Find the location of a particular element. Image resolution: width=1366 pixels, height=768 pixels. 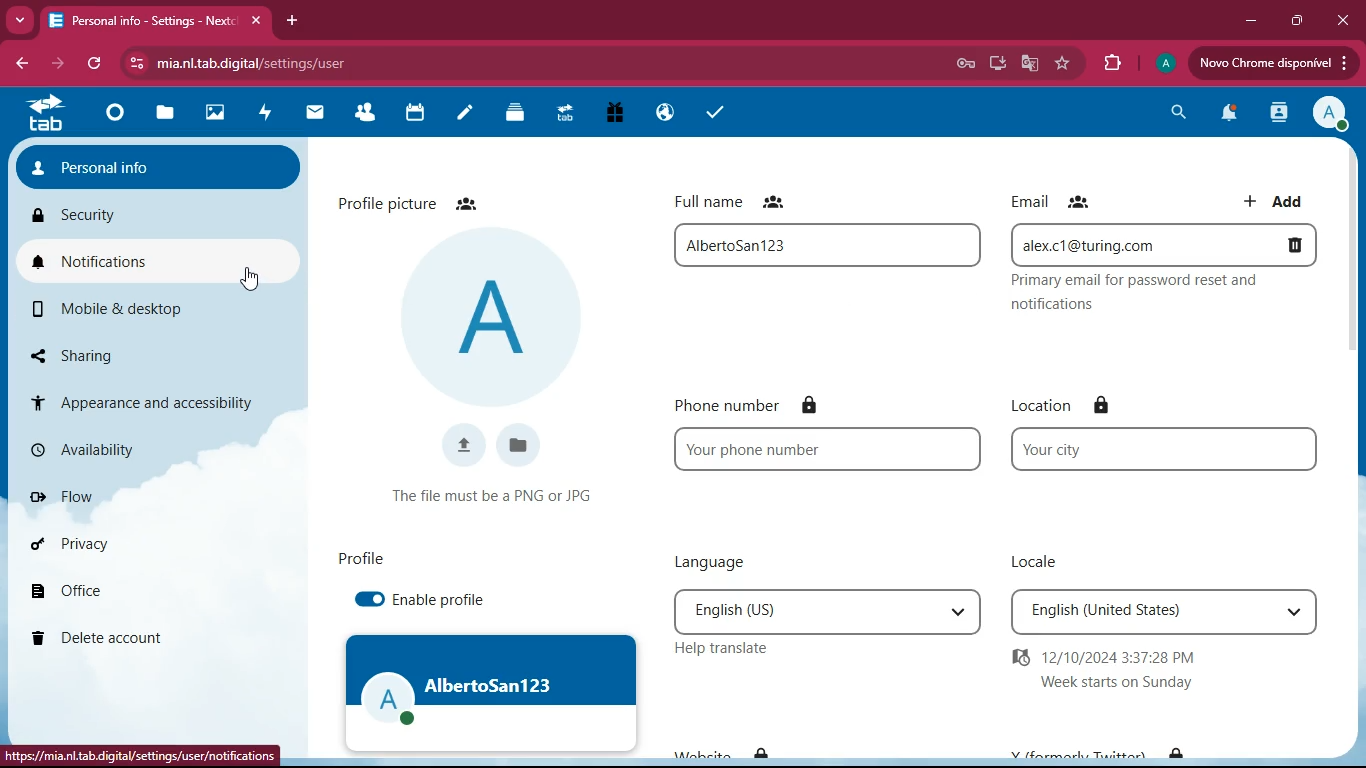

locale is located at coordinates (1042, 563).